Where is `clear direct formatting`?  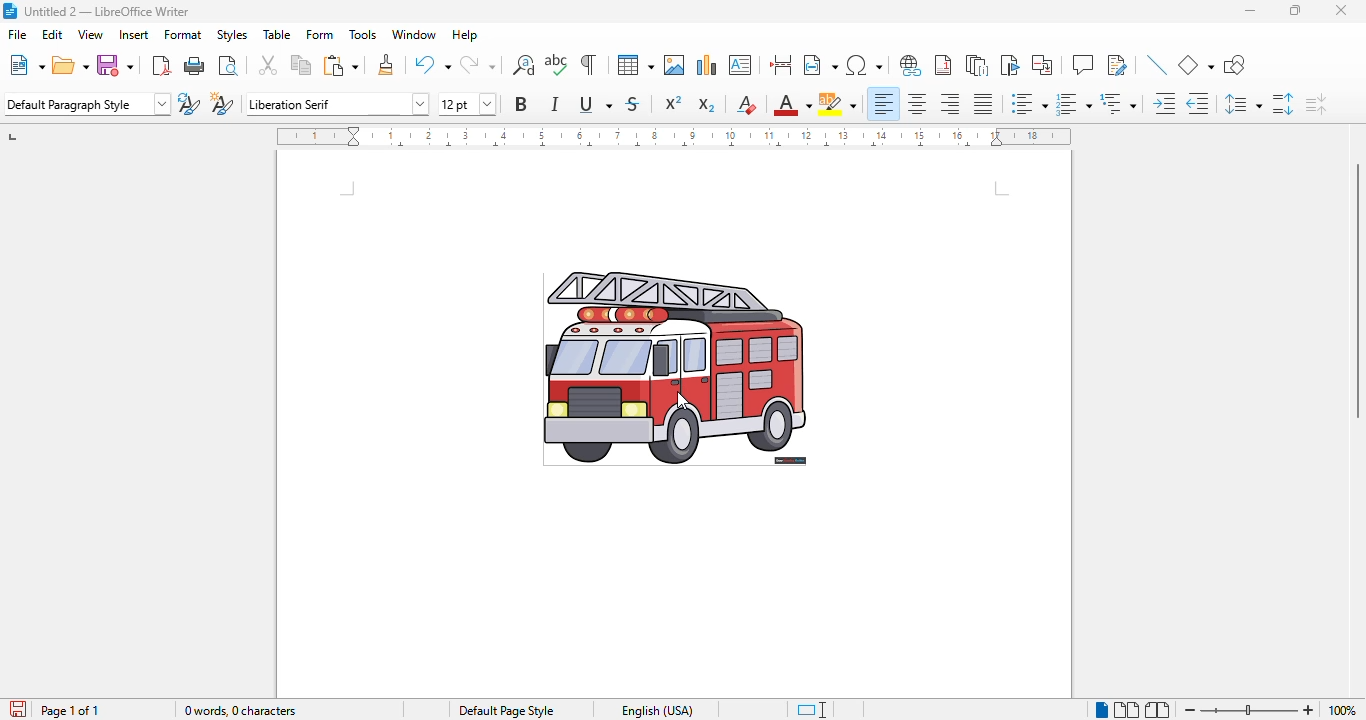 clear direct formatting is located at coordinates (747, 103).